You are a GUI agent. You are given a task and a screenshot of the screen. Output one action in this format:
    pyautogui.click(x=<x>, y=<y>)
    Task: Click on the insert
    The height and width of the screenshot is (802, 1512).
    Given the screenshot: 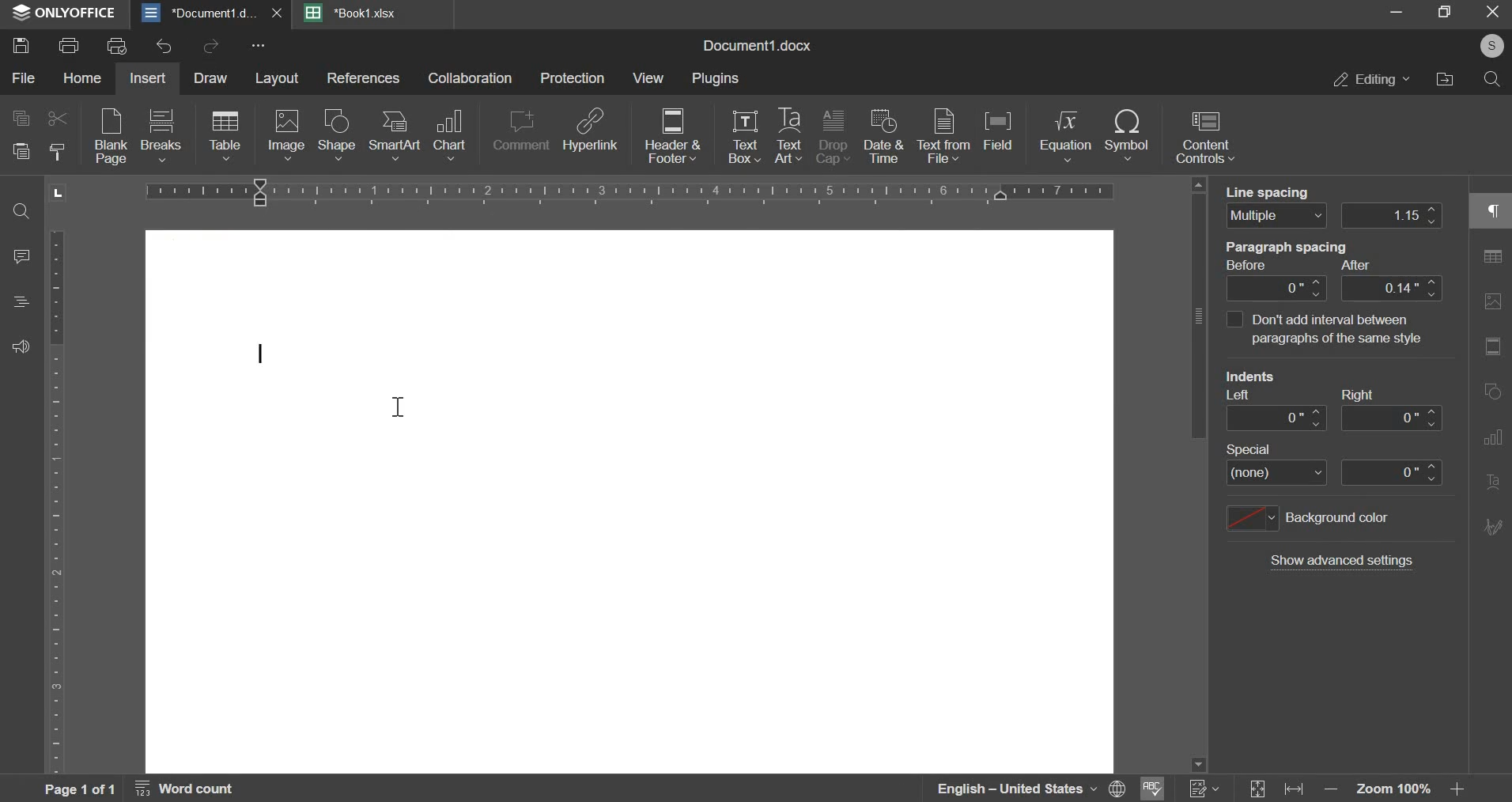 What is the action you would take?
    pyautogui.click(x=149, y=79)
    